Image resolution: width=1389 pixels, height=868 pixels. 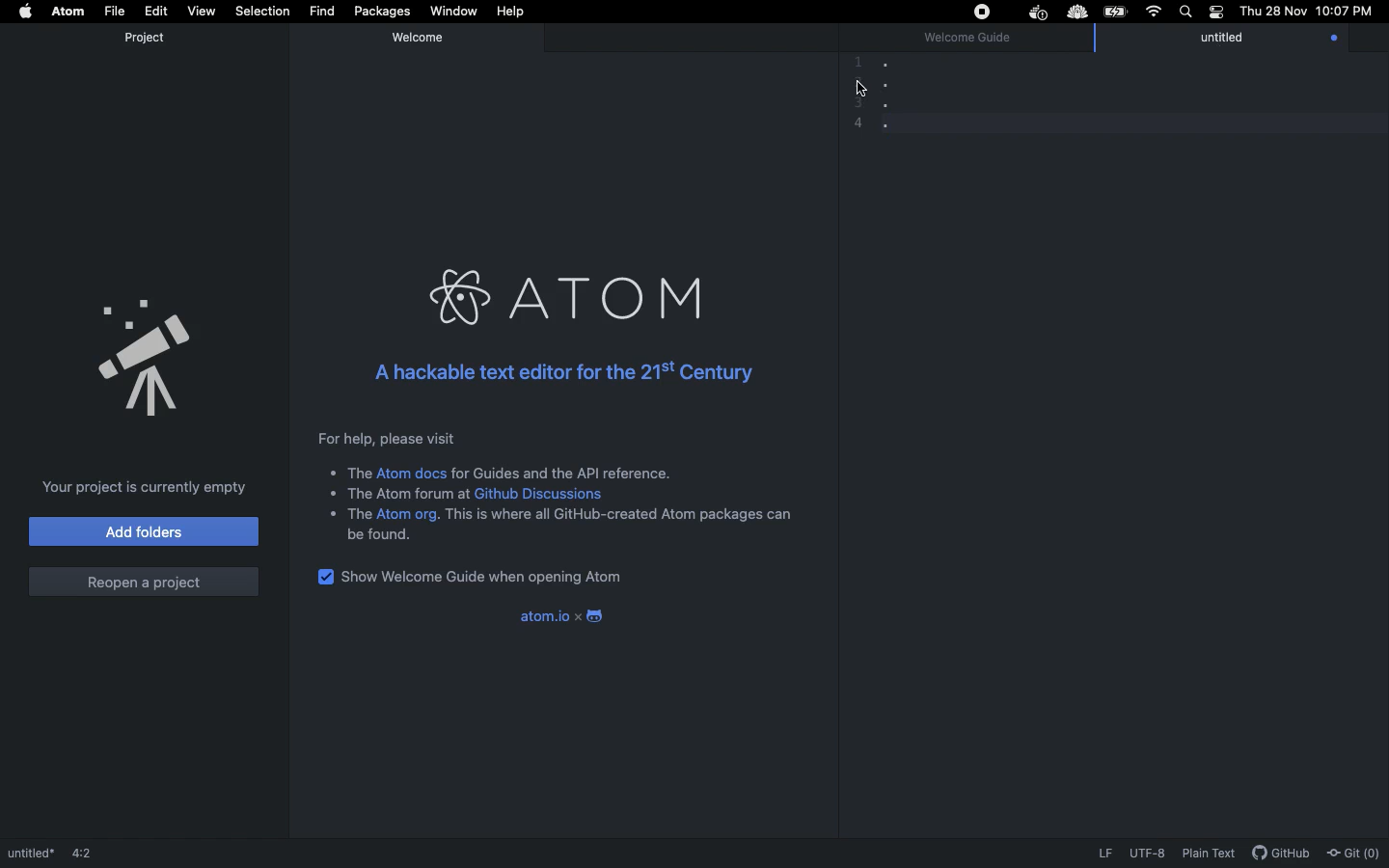 What do you see at coordinates (1147, 854) in the screenshot?
I see `UTF-8` at bounding box center [1147, 854].